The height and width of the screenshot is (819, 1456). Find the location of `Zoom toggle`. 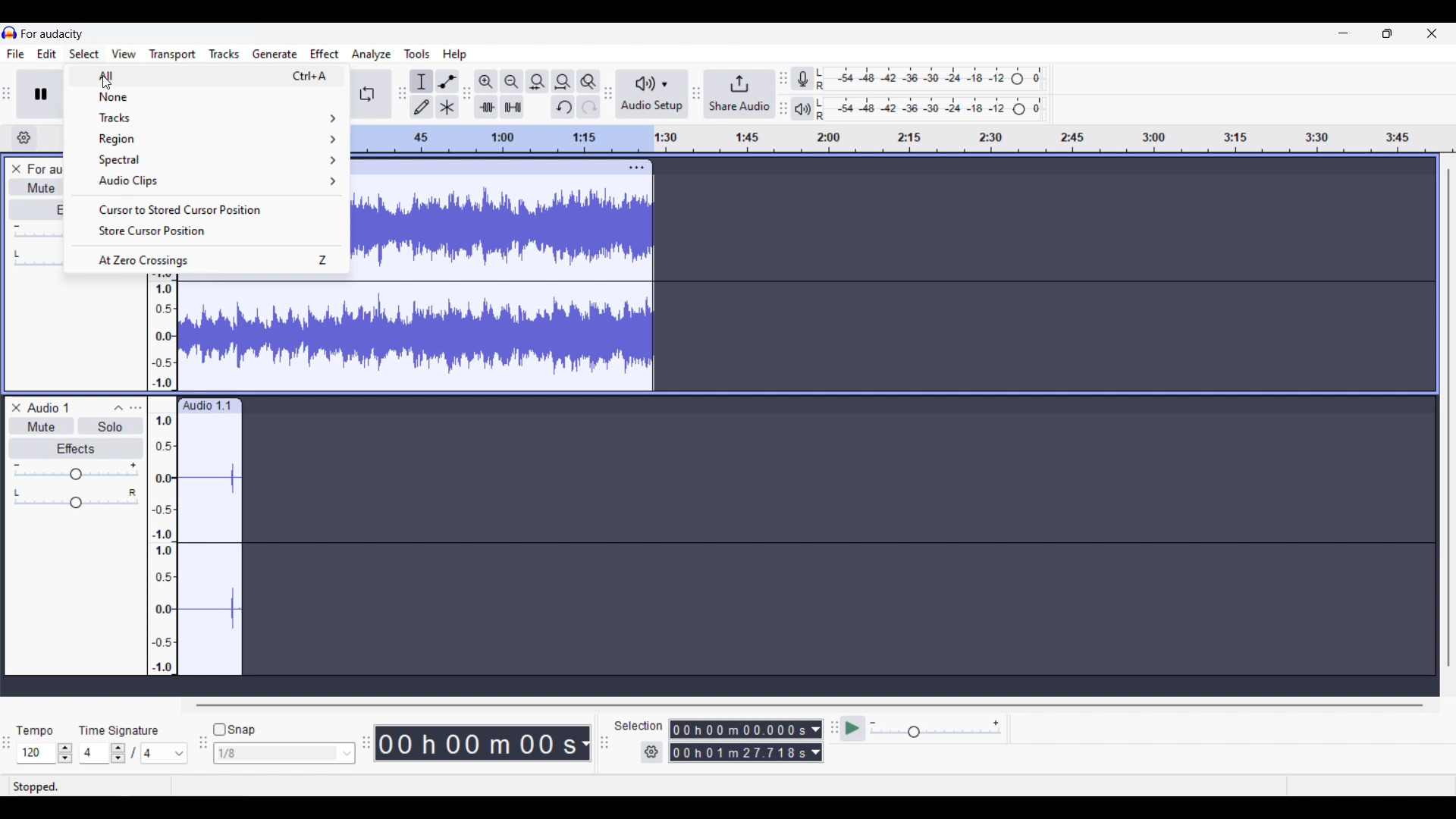

Zoom toggle is located at coordinates (588, 82).